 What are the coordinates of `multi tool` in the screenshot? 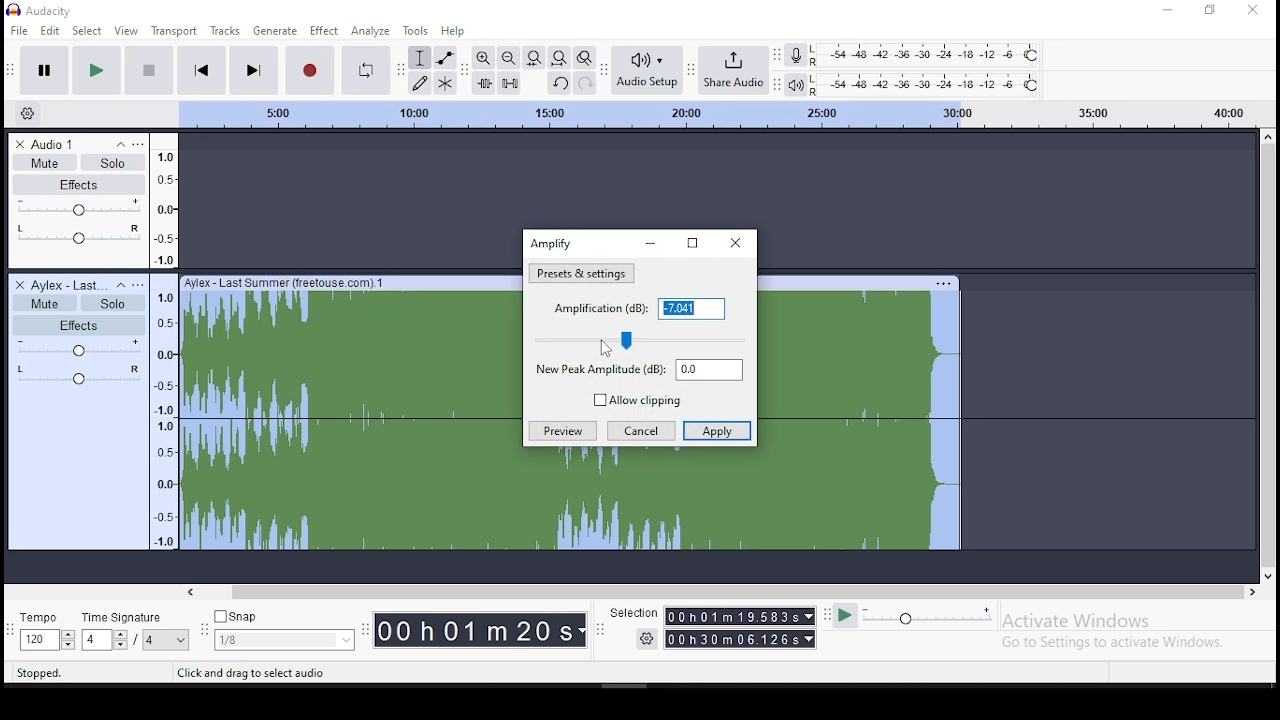 It's located at (446, 84).